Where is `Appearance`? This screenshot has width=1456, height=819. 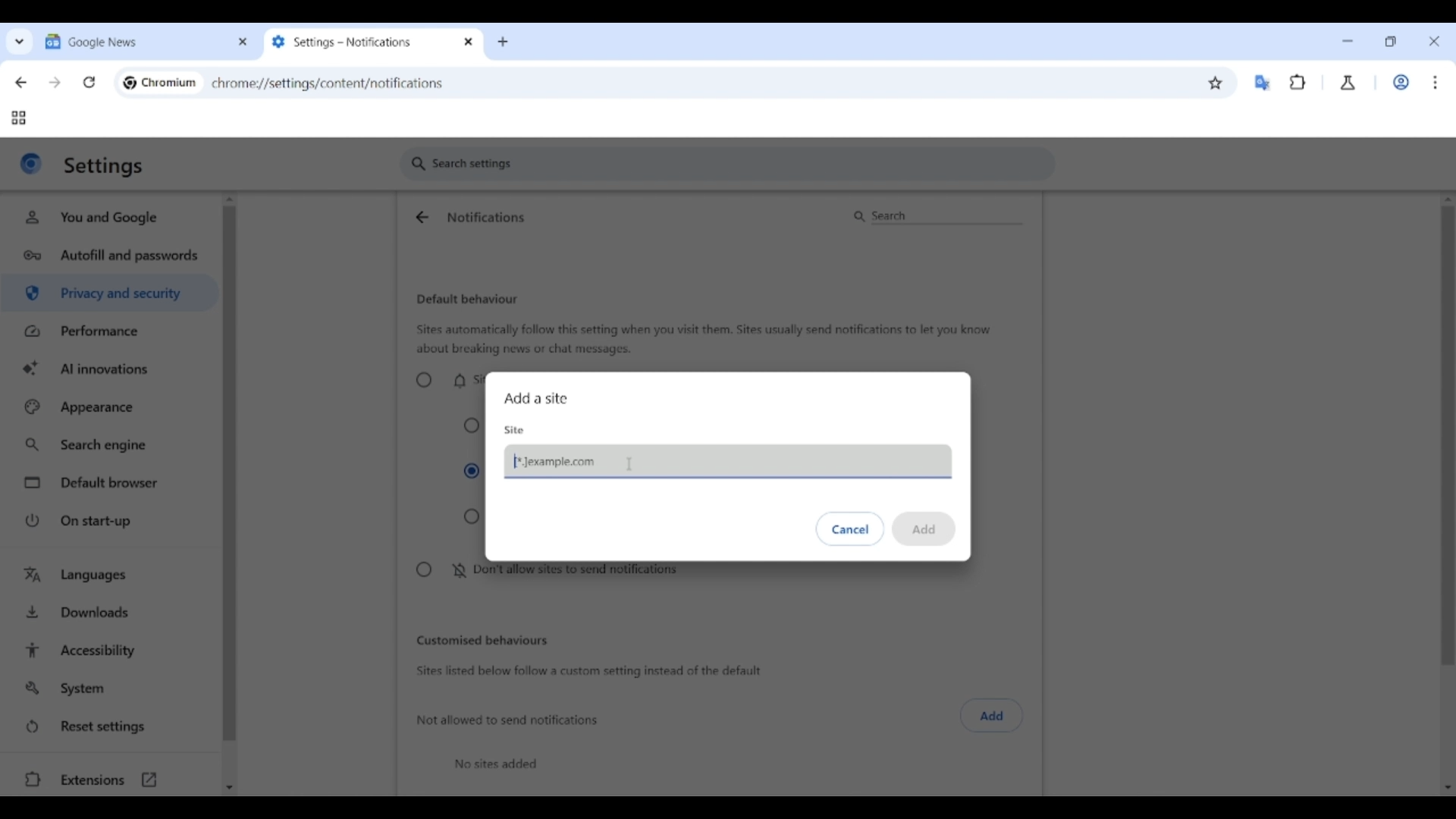 Appearance is located at coordinates (110, 407).